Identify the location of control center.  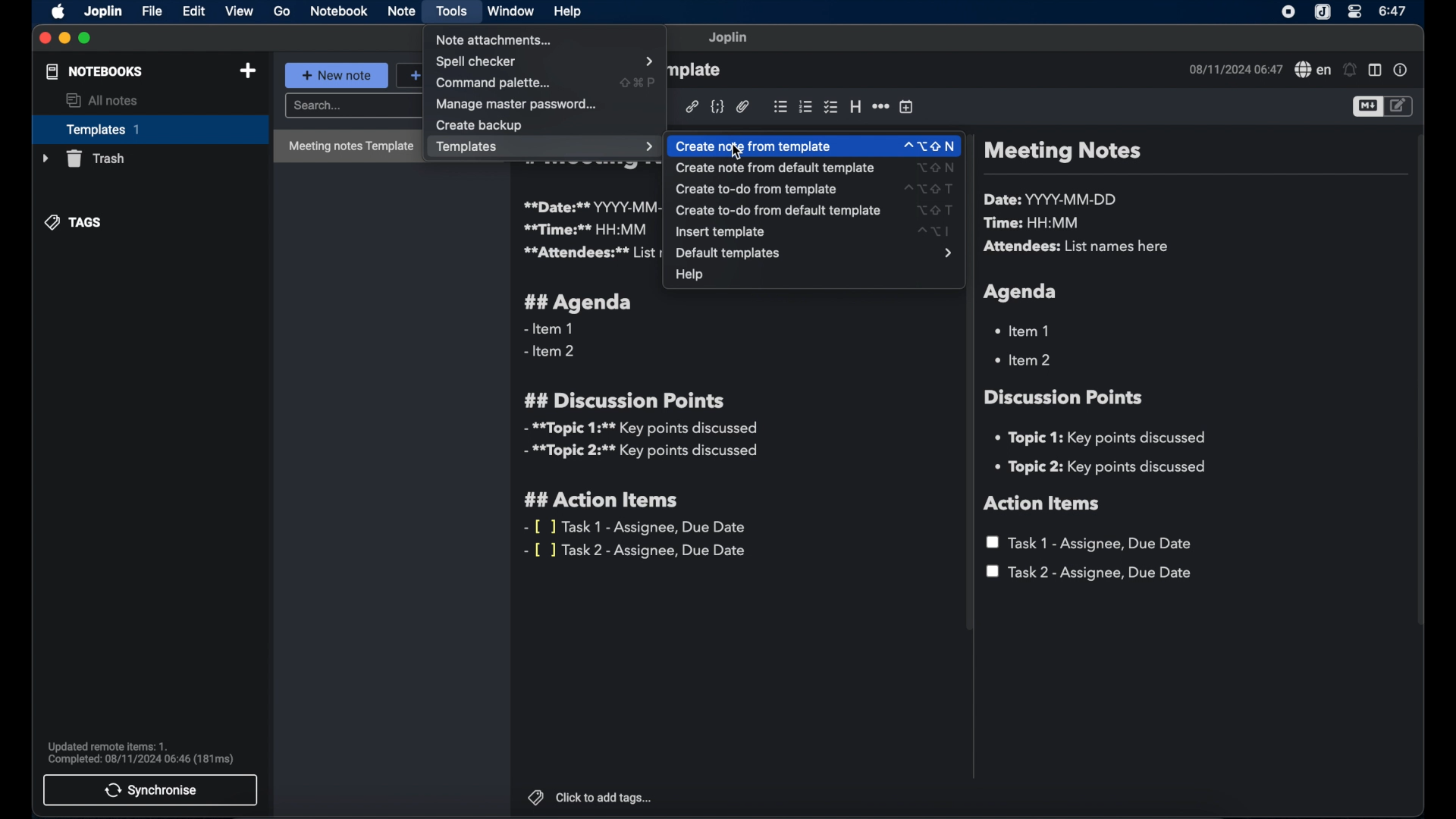
(1355, 13).